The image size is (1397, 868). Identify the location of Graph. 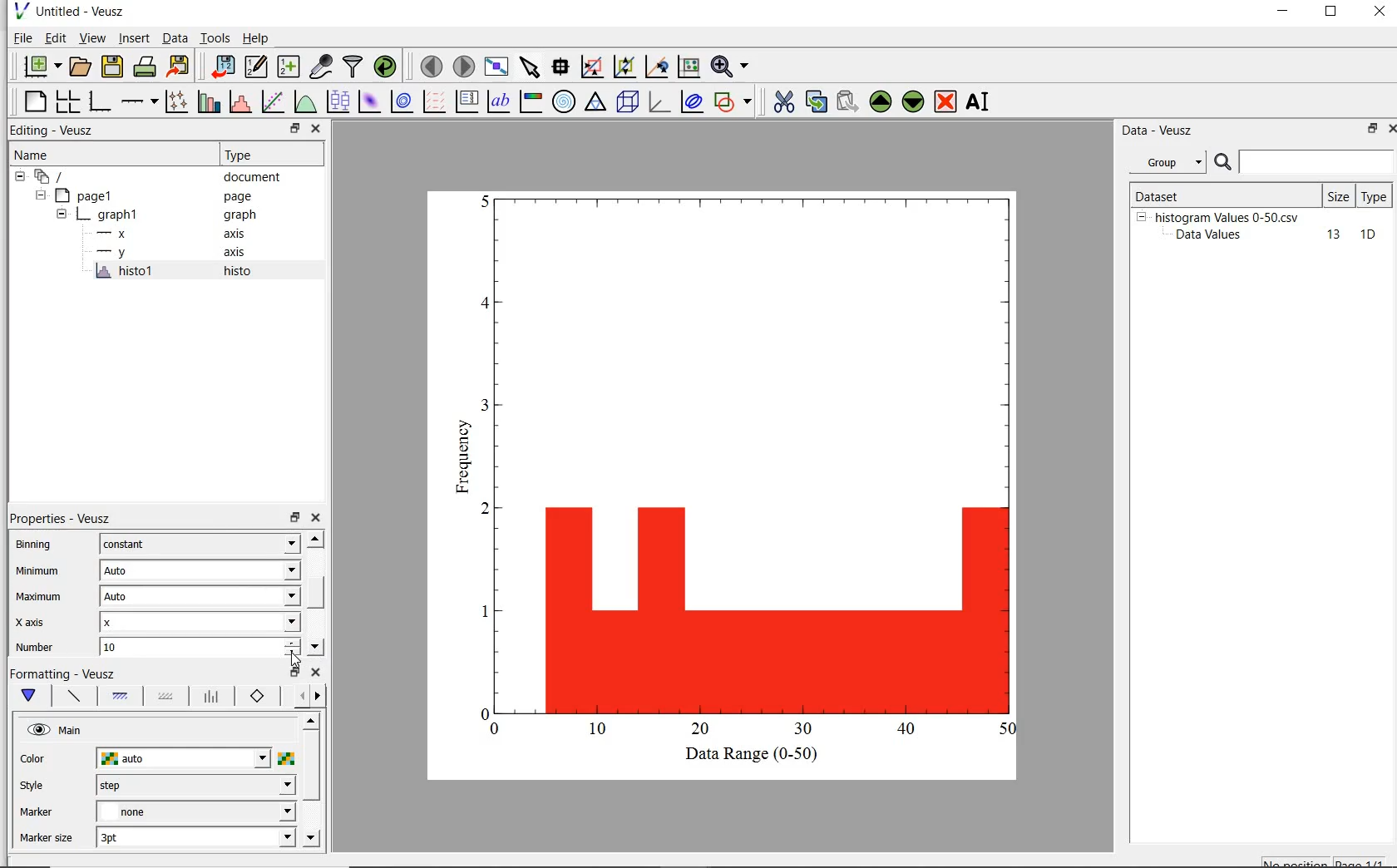
(748, 464).